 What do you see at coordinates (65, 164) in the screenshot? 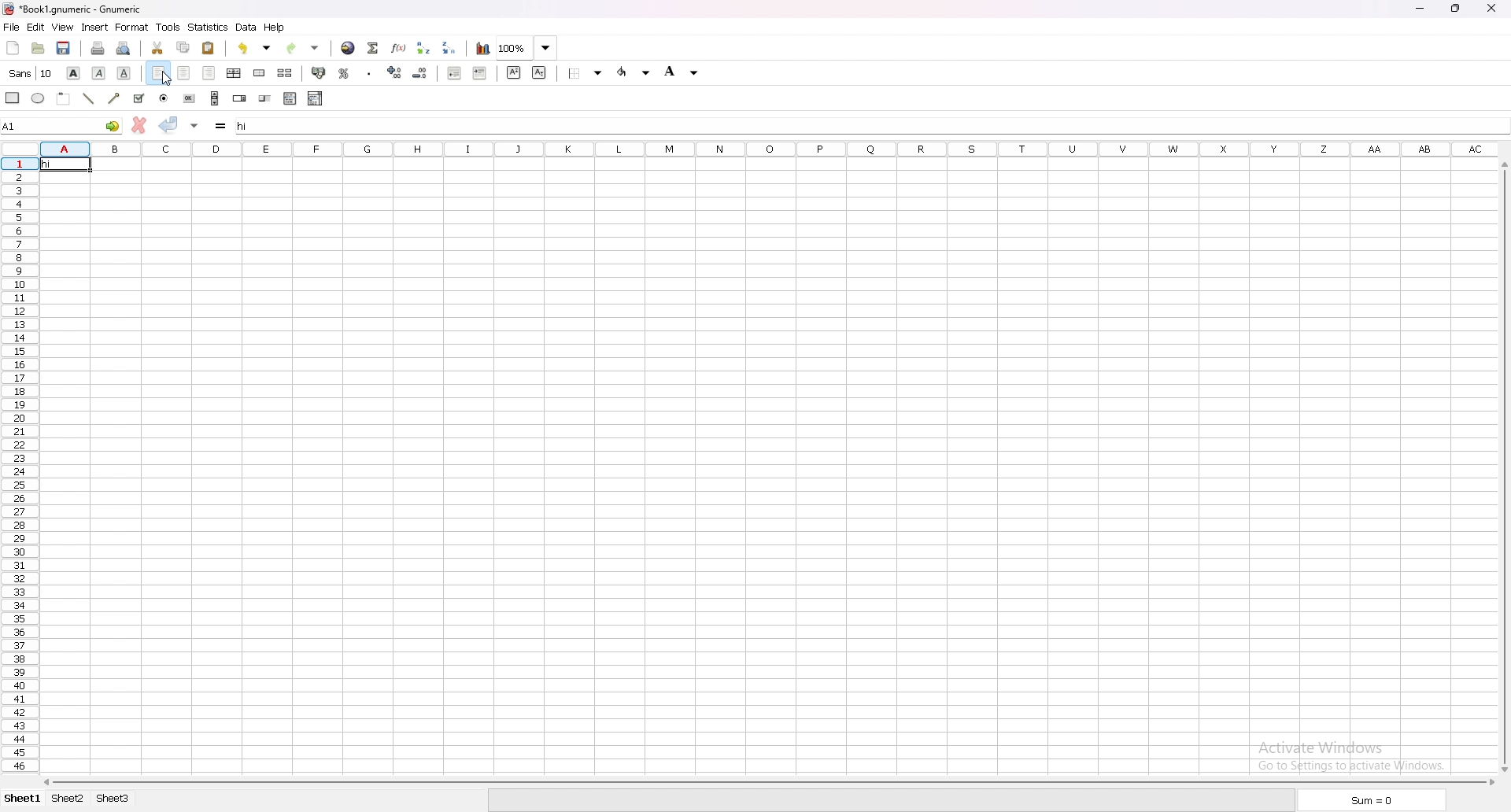
I see `hi` at bounding box center [65, 164].